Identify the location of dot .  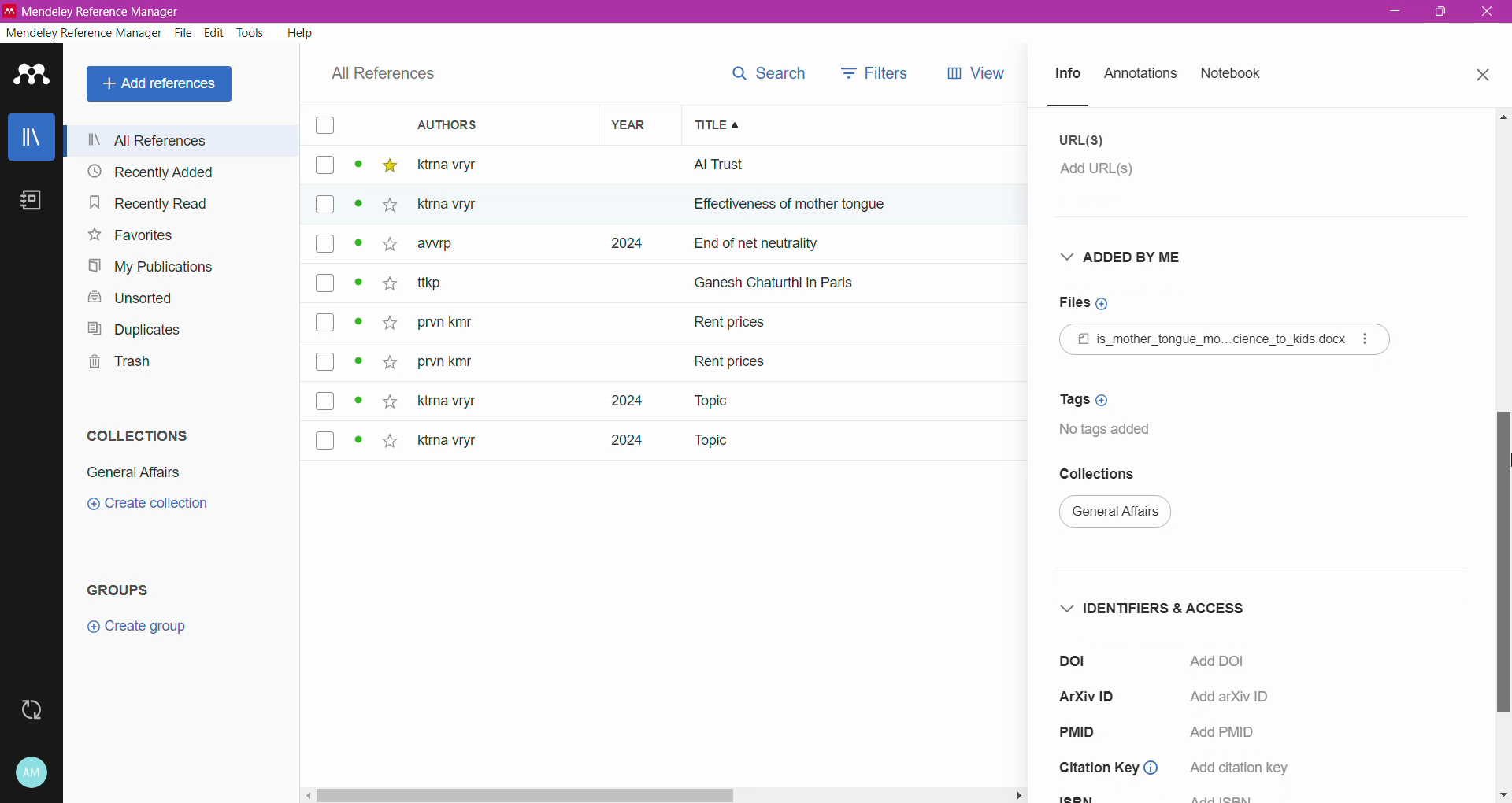
(357, 326).